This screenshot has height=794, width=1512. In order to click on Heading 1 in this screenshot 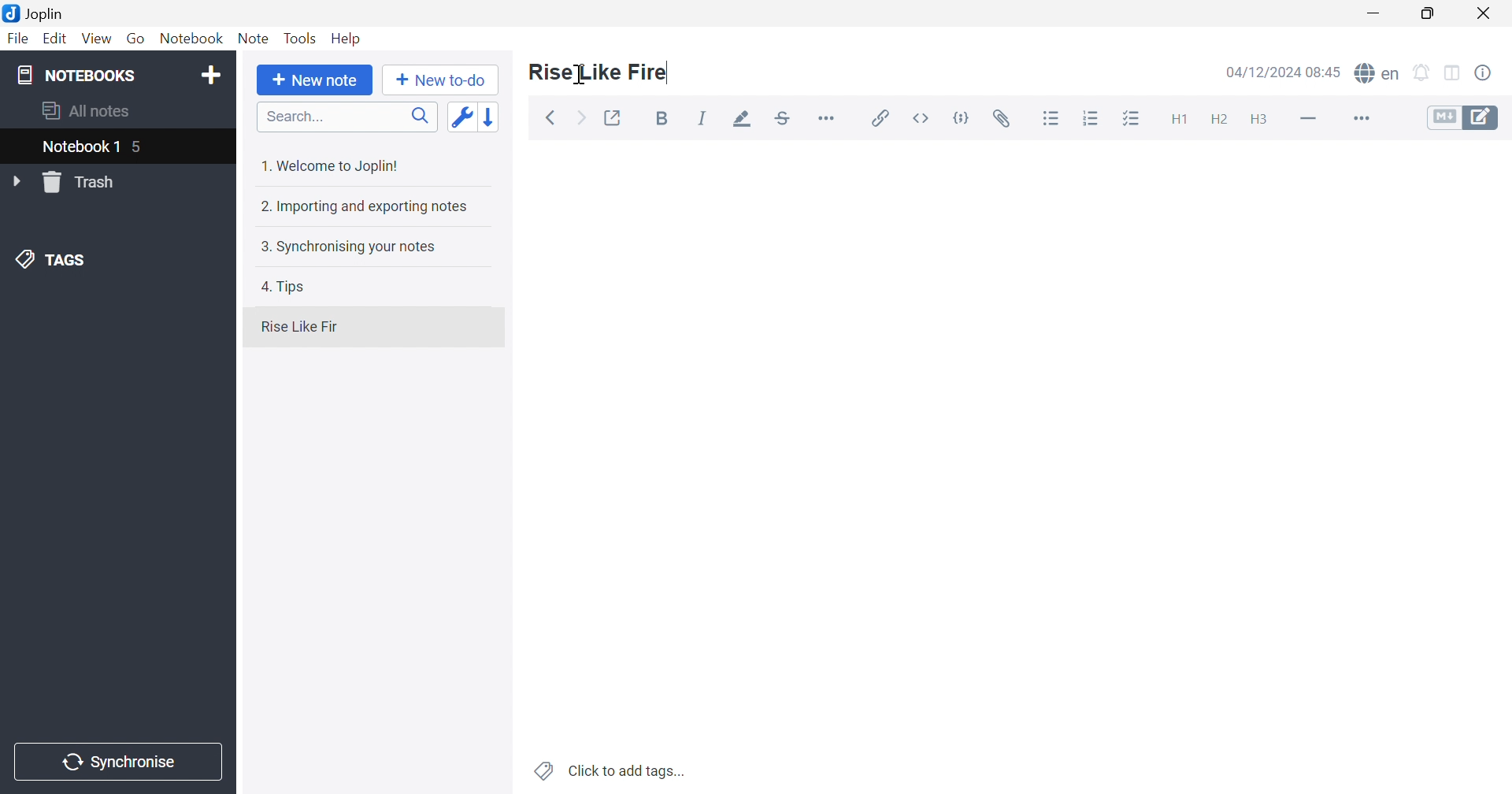, I will do `click(1178, 118)`.